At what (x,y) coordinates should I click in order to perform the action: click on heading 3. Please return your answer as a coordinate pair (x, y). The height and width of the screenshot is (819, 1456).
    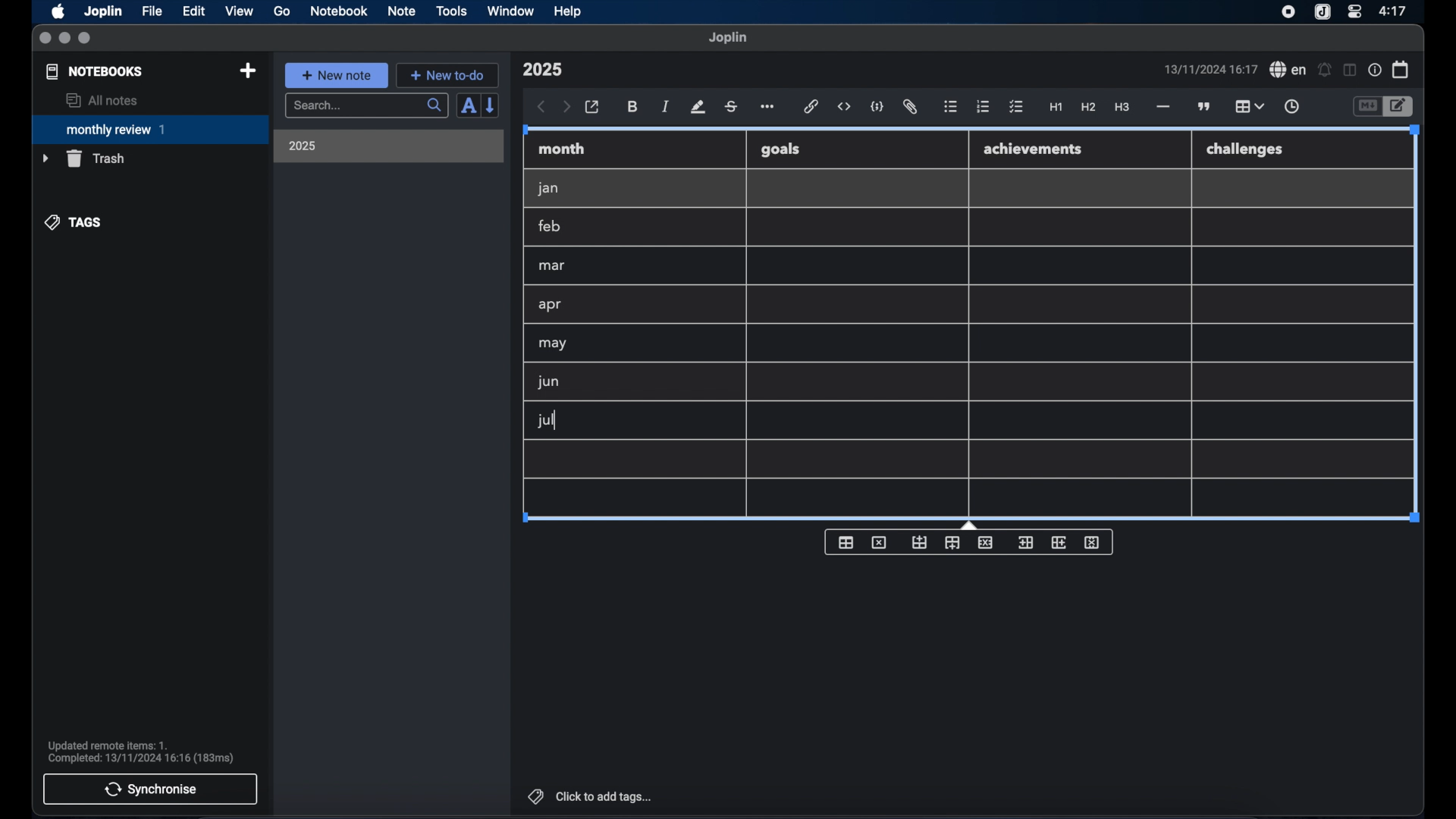
    Looking at the image, I should click on (1122, 108).